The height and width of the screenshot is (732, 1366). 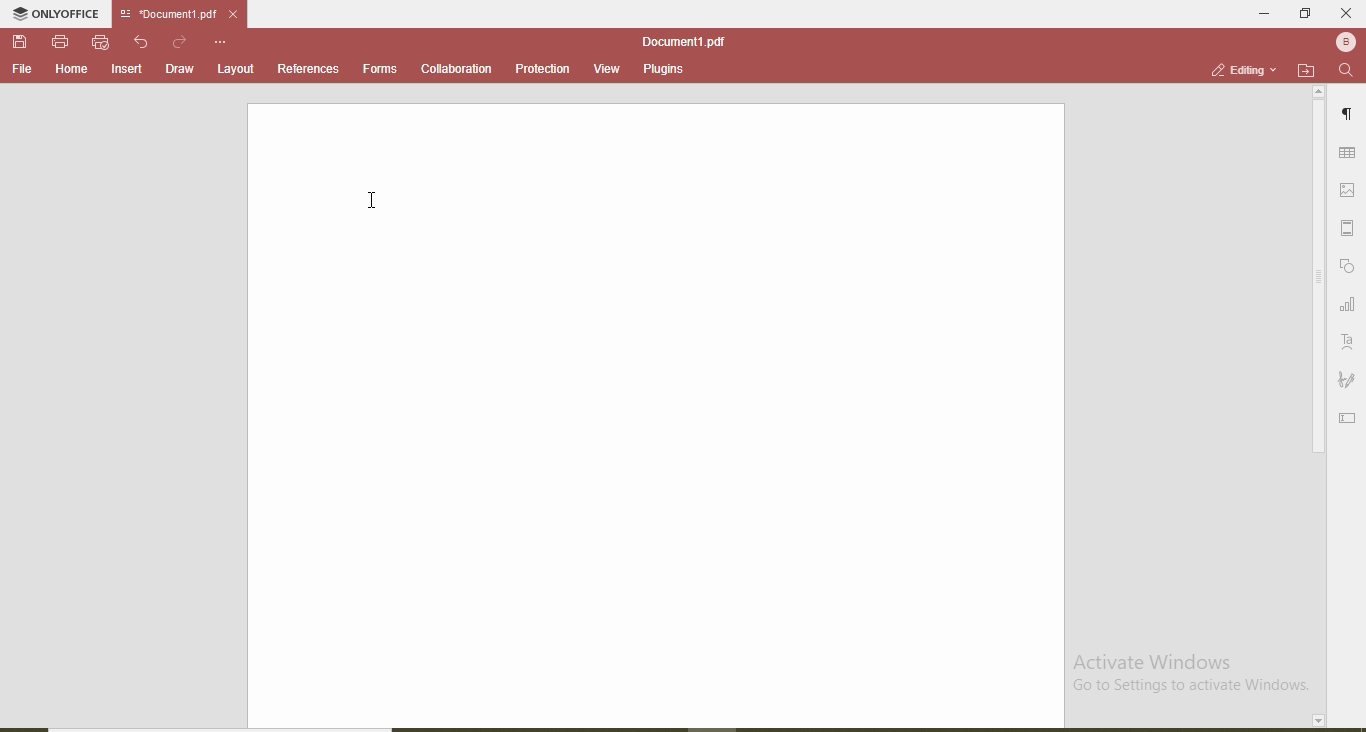 I want to click on protection, so click(x=541, y=69).